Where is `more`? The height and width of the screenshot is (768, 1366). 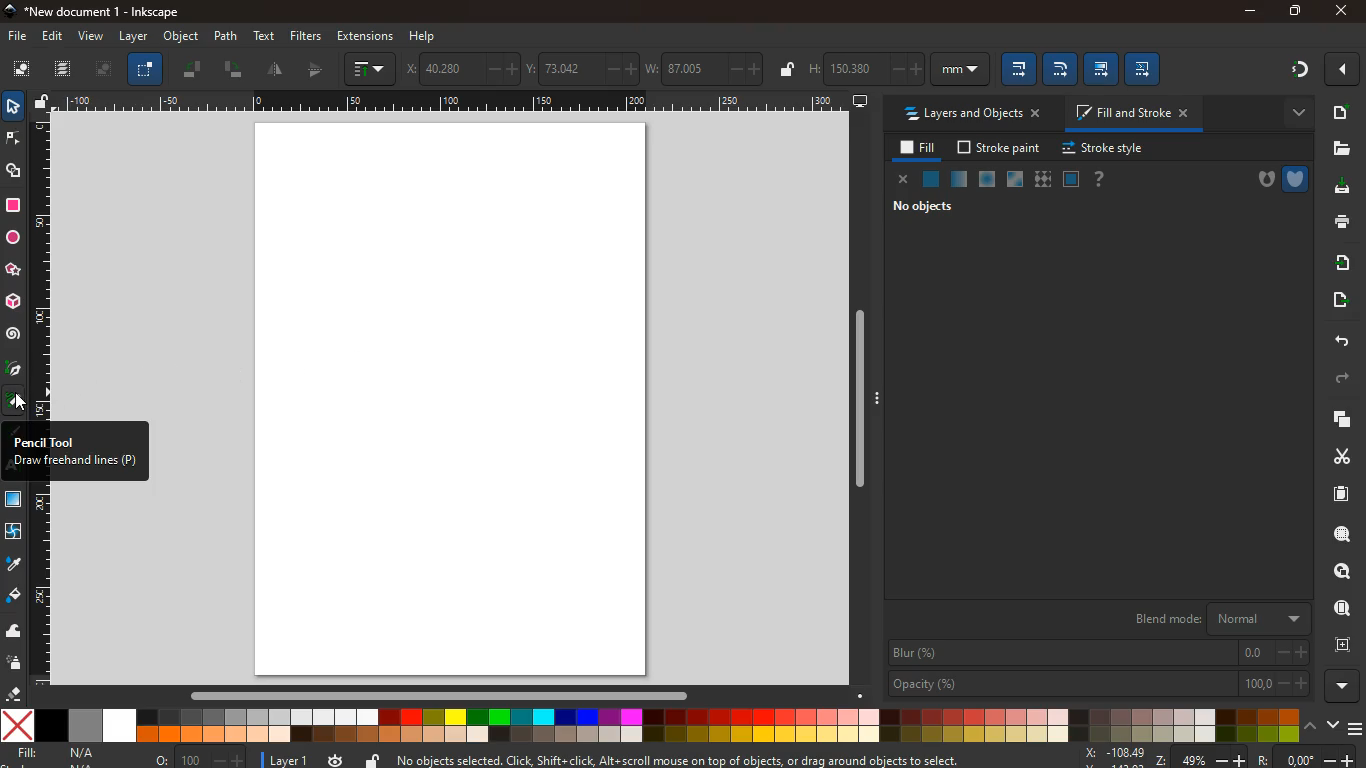
more is located at coordinates (1346, 686).